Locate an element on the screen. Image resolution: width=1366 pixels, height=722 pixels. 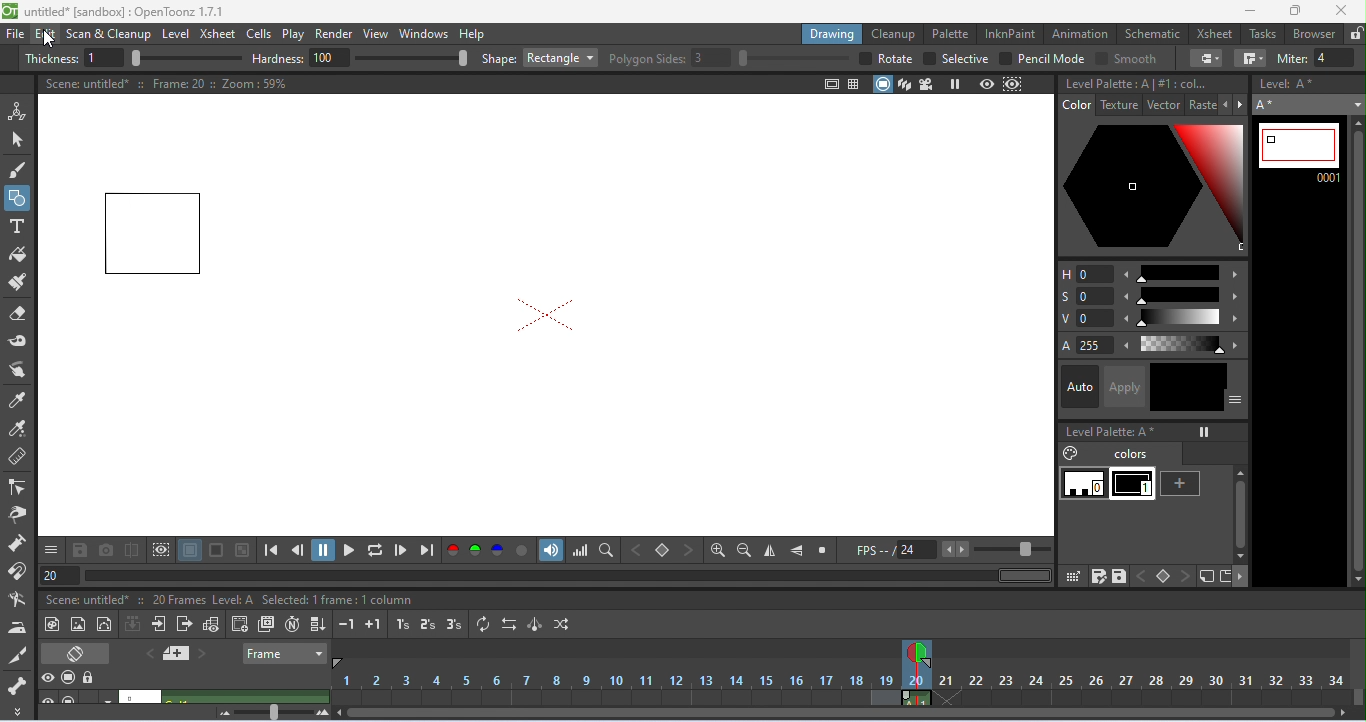
camera view is located at coordinates (928, 84).